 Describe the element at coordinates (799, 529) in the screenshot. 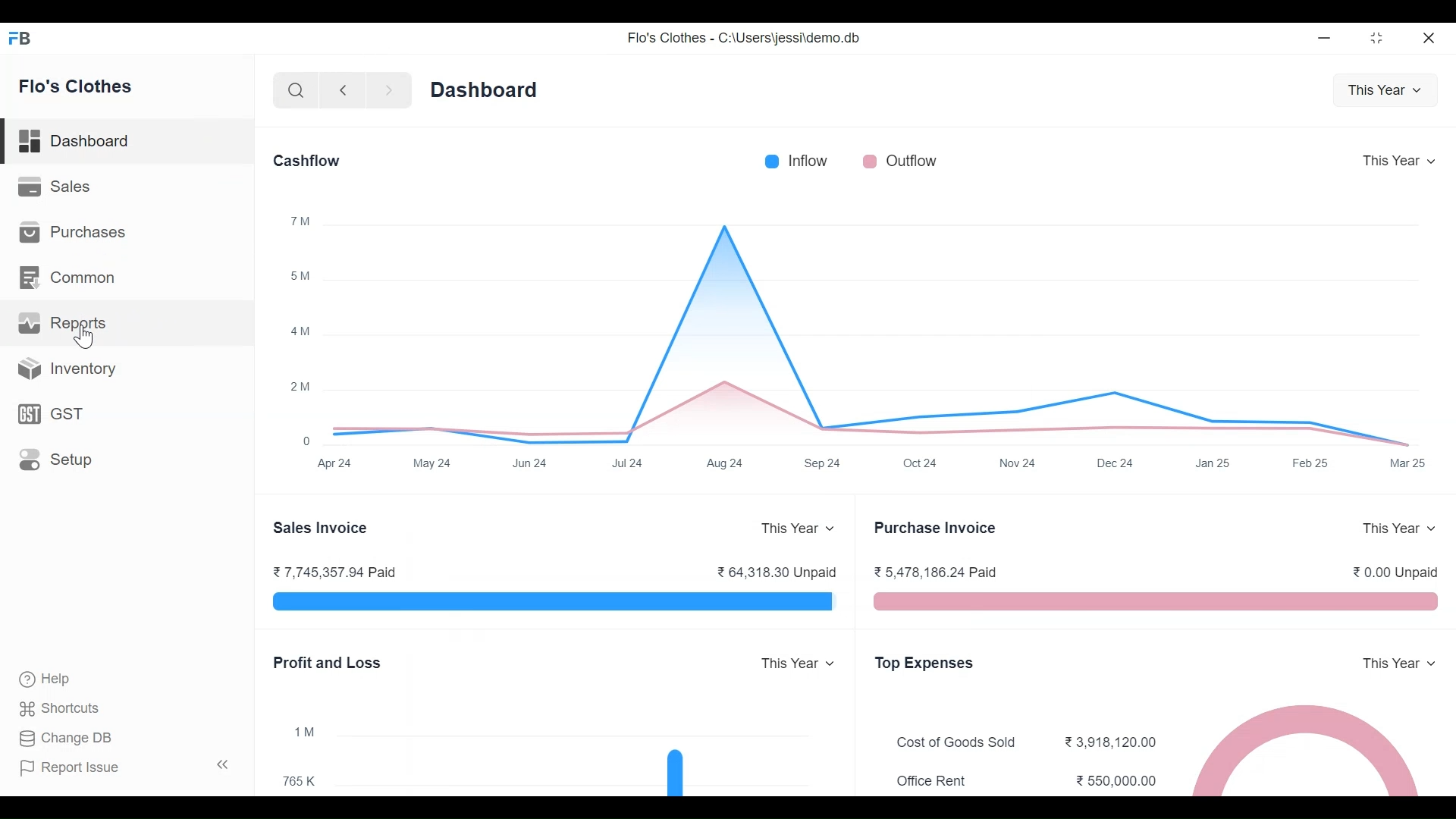

I see `This Year` at that location.